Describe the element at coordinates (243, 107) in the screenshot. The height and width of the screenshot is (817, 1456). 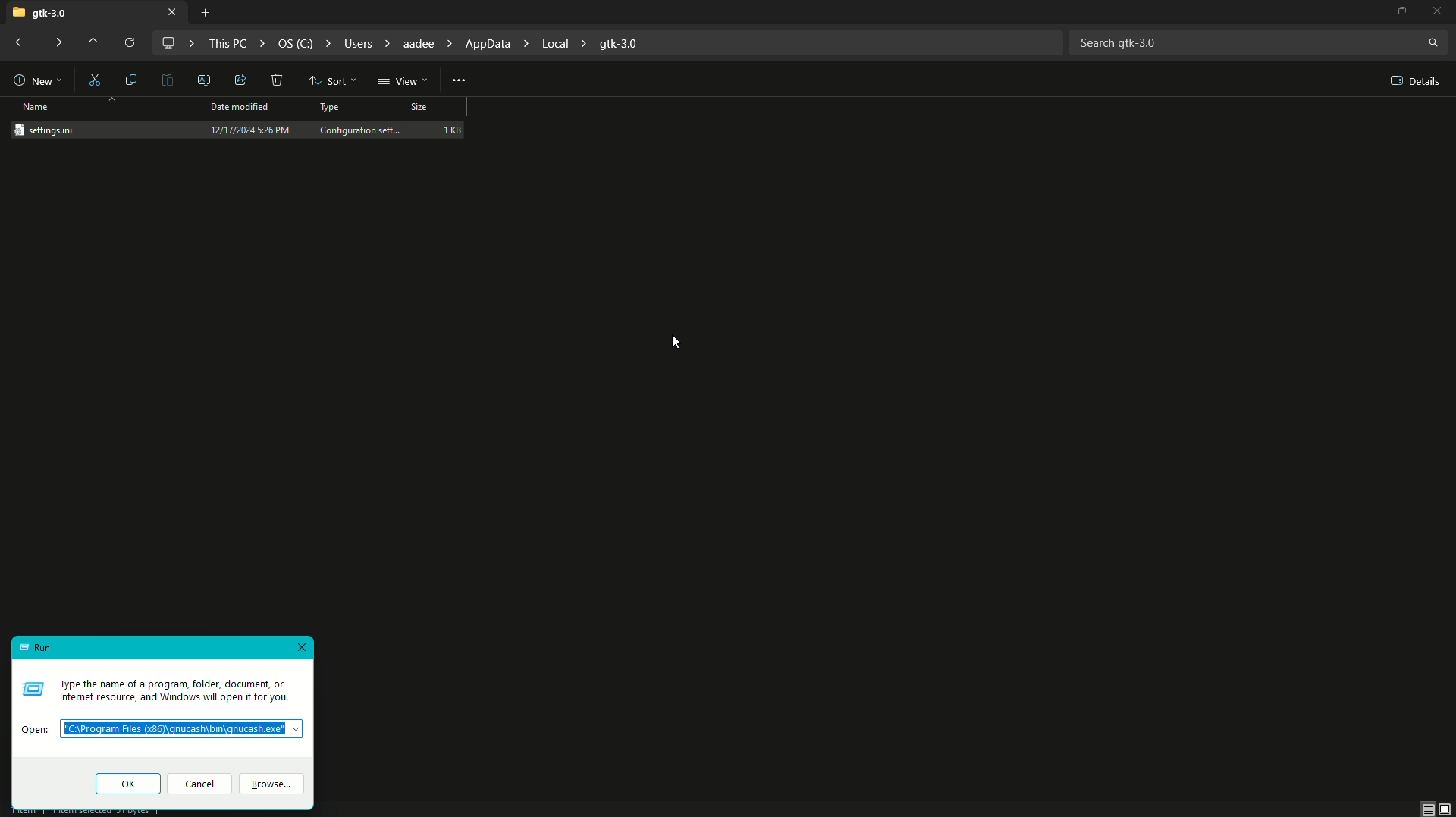
I see `Date modified` at that location.